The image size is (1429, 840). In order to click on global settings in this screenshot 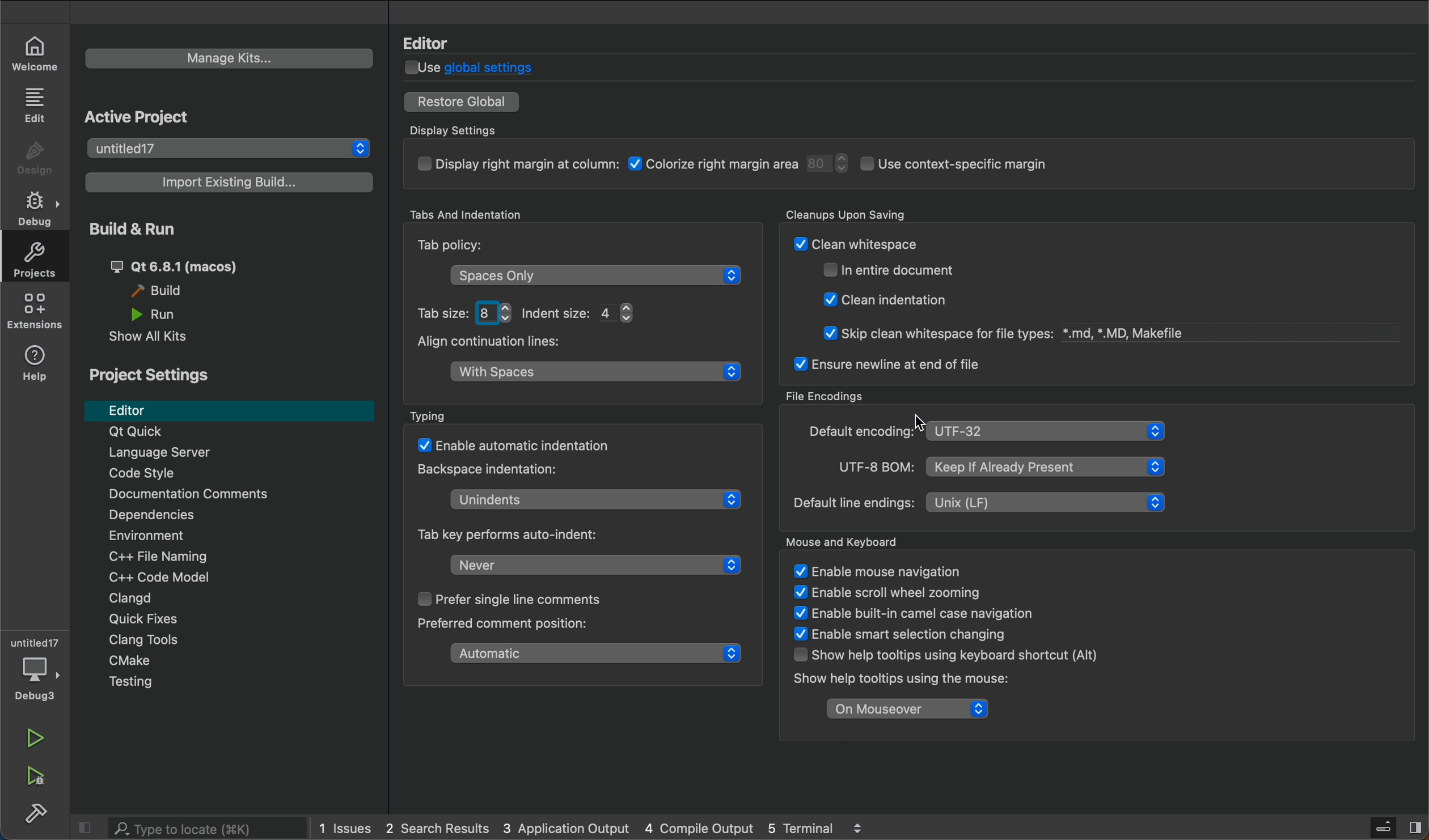, I will do `click(475, 69)`.